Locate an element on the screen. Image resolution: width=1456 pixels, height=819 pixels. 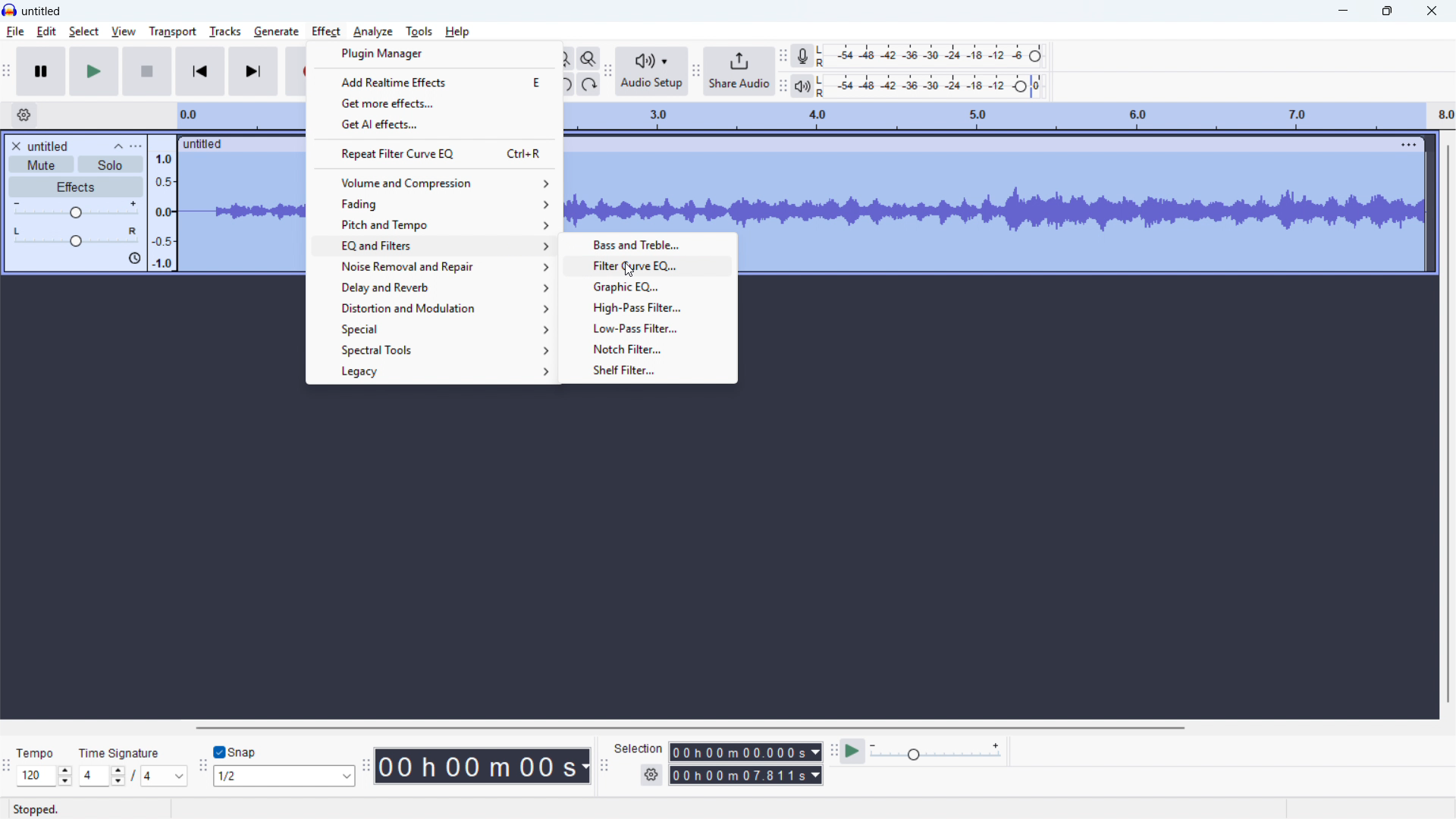
Graphic eq  is located at coordinates (648, 285).